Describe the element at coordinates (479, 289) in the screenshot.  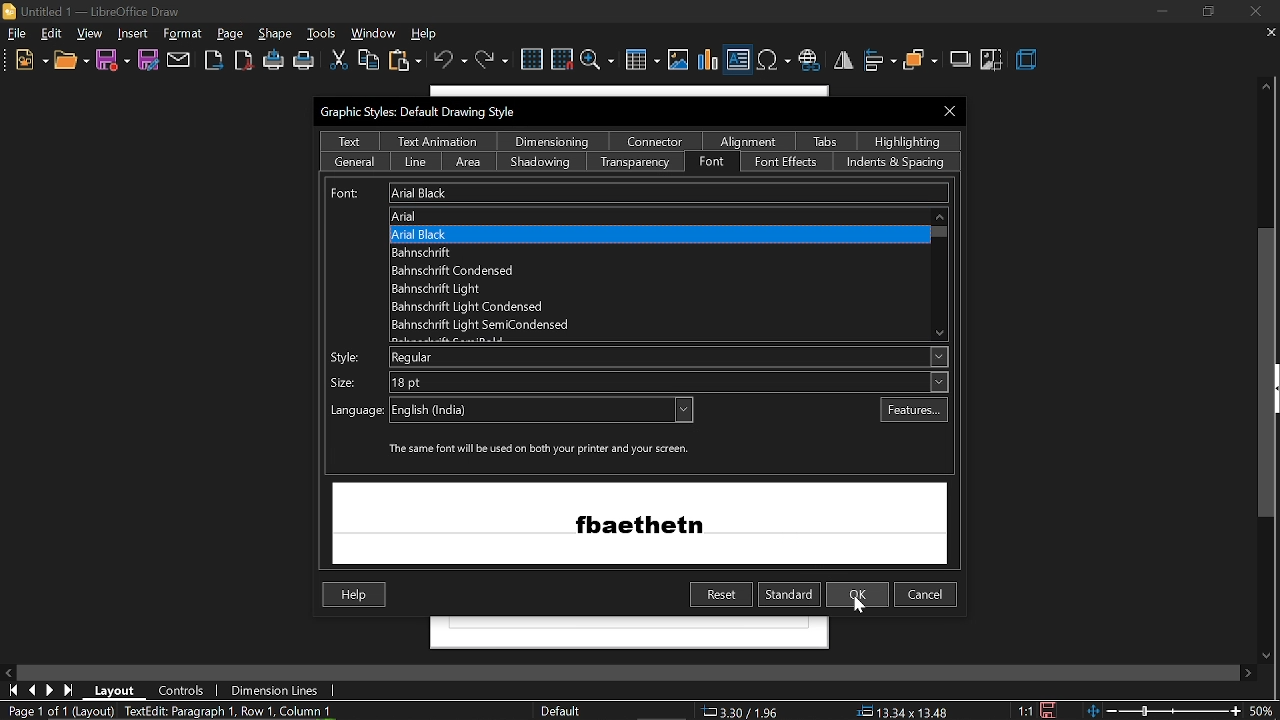
I see `'Bahnschrift Light` at that location.